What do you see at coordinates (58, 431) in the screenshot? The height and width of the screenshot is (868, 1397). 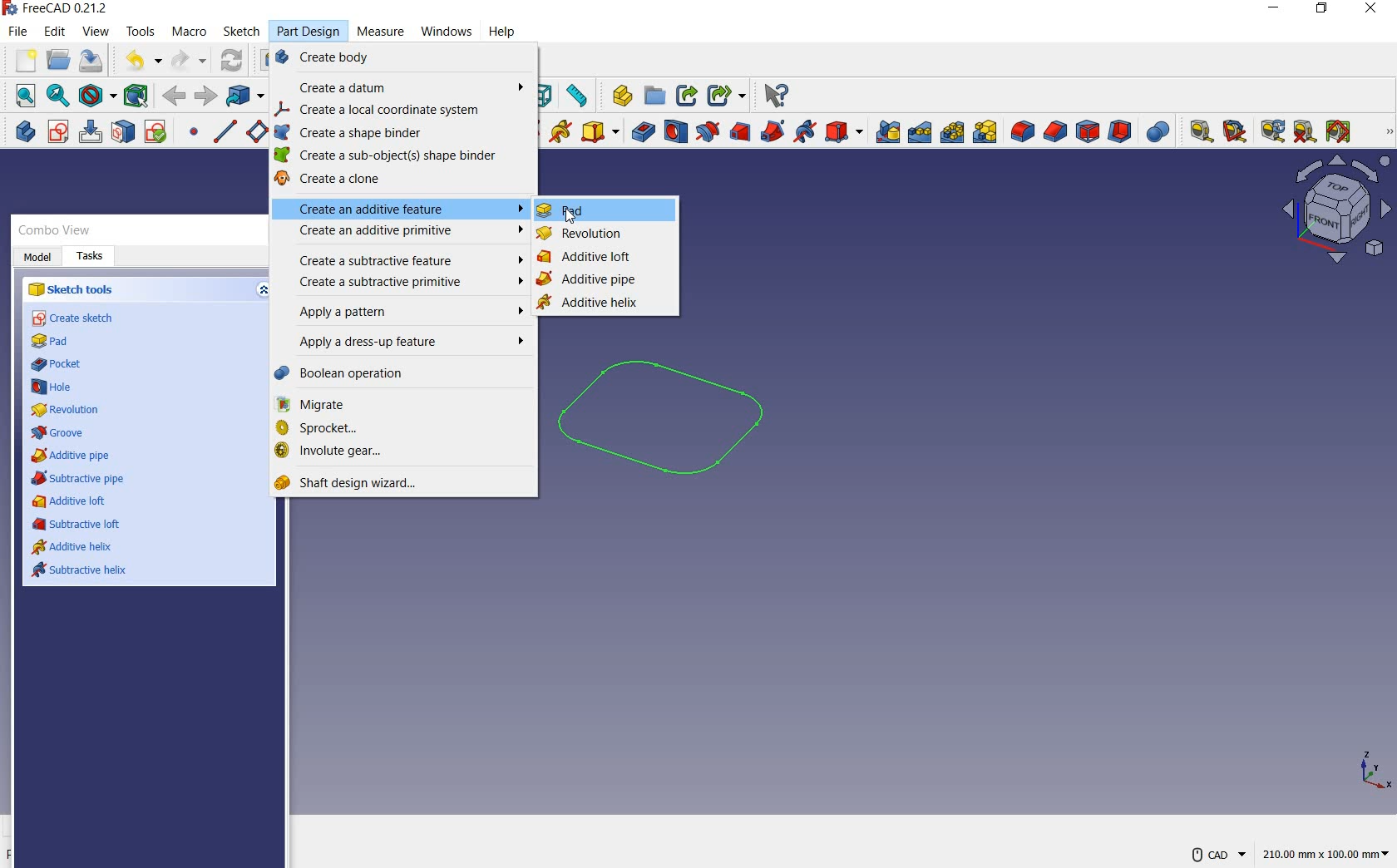 I see `groove` at bounding box center [58, 431].